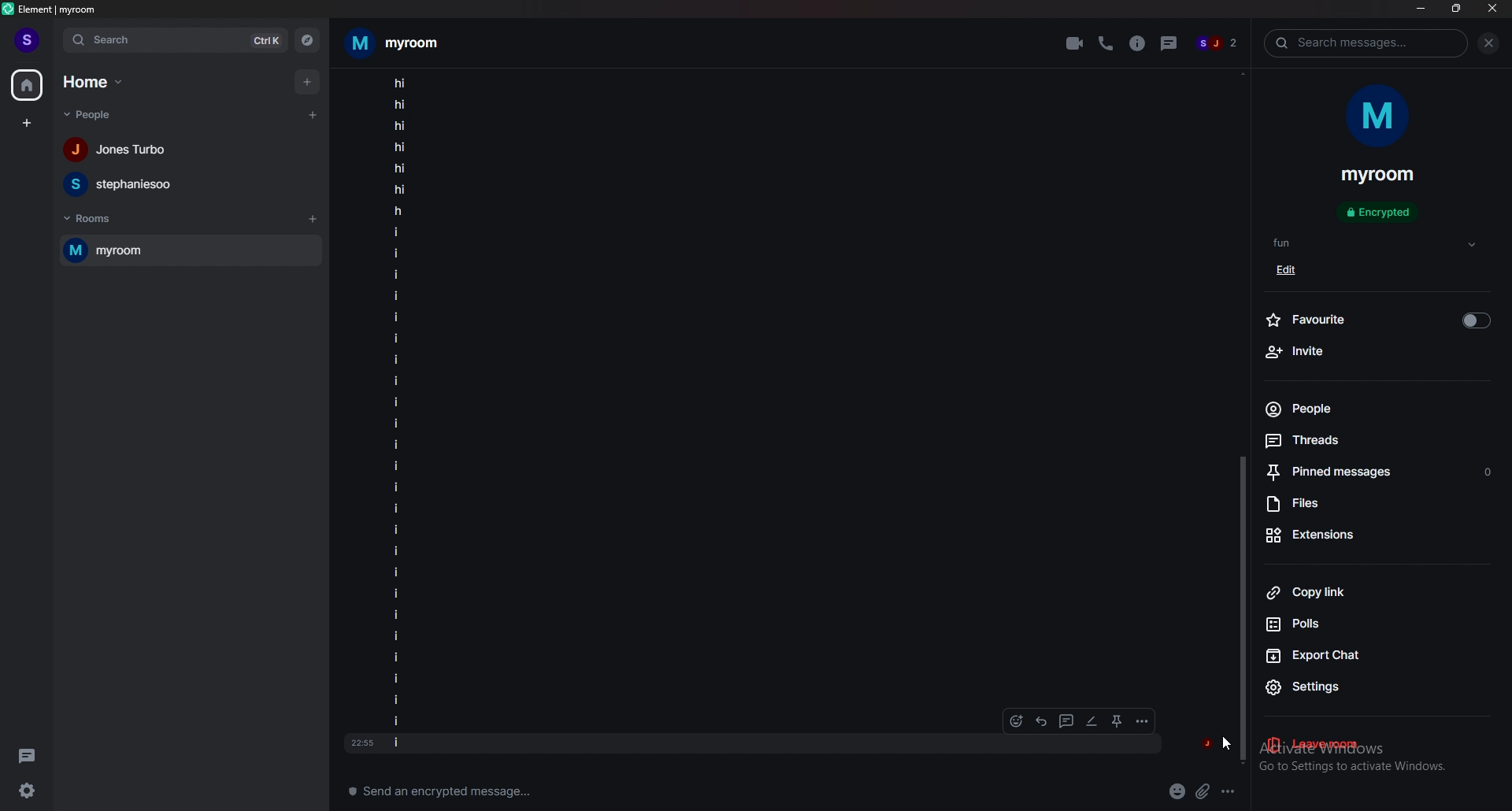 The width and height of the screenshot is (1512, 811). What do you see at coordinates (307, 39) in the screenshot?
I see `explore rooms` at bounding box center [307, 39].